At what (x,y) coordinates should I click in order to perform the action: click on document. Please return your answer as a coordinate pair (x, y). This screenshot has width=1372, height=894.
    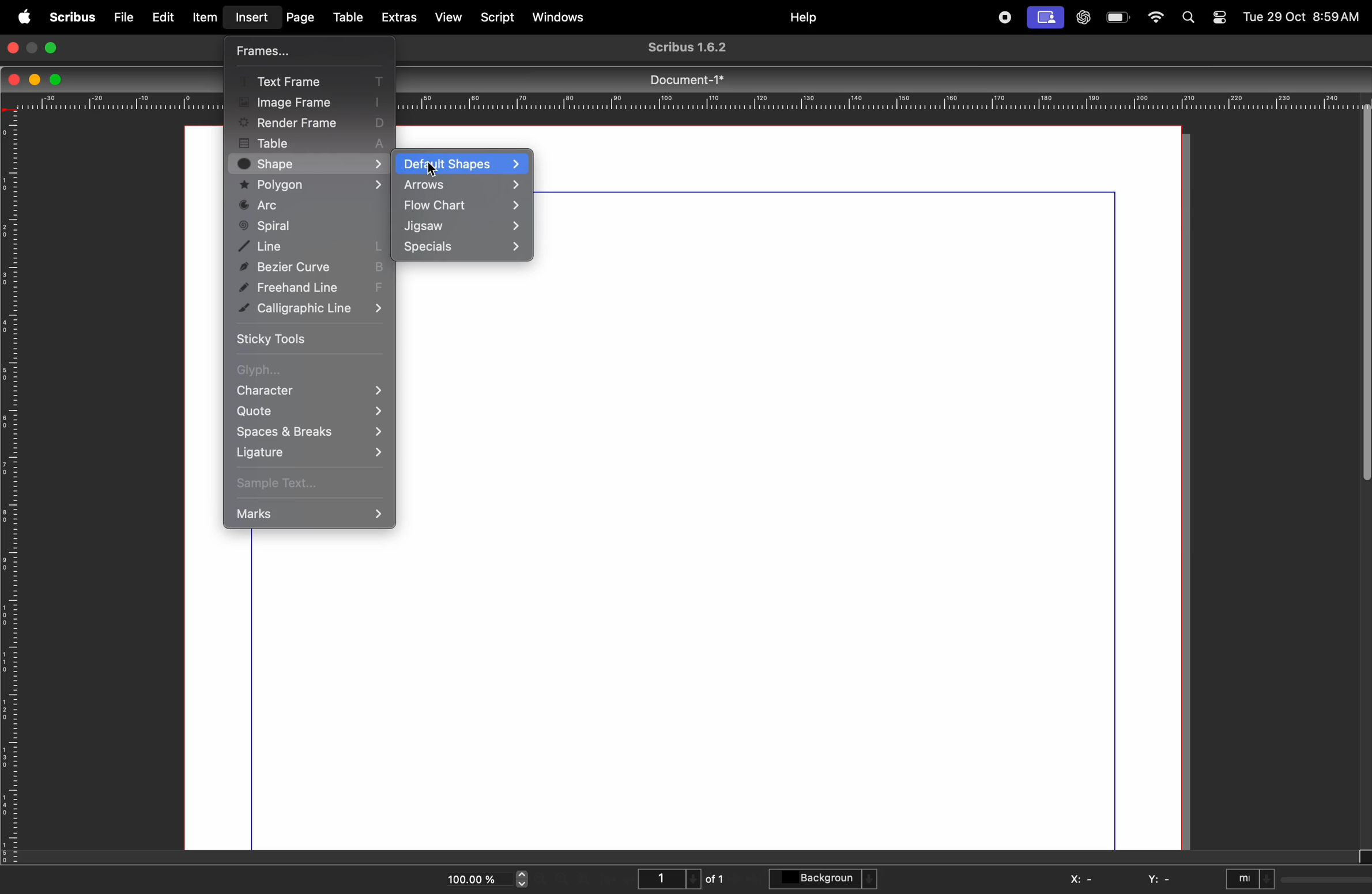
    Looking at the image, I should click on (865, 486).